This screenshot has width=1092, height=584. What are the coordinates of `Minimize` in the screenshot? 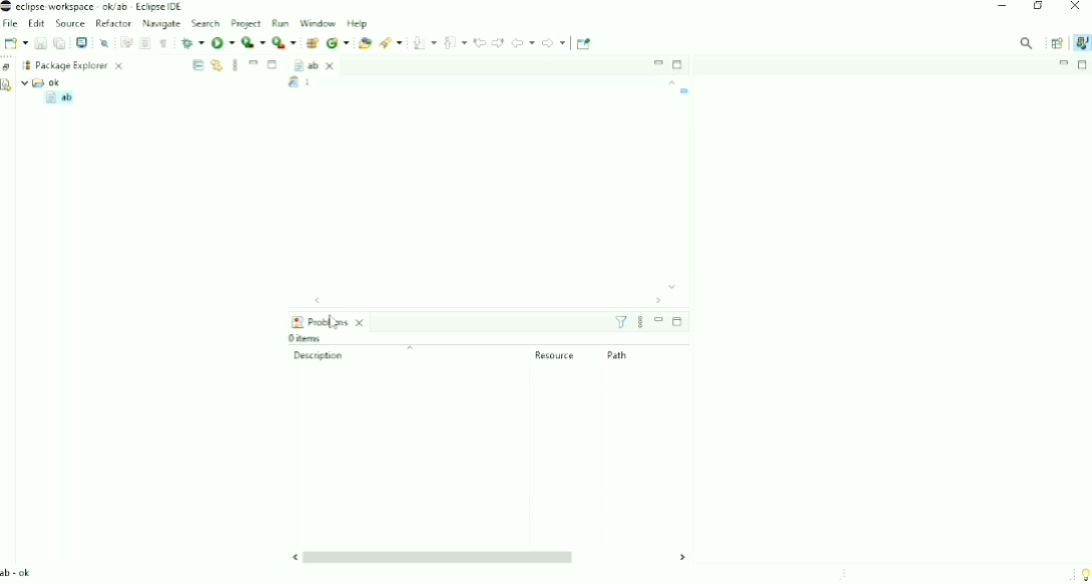 It's located at (659, 320).